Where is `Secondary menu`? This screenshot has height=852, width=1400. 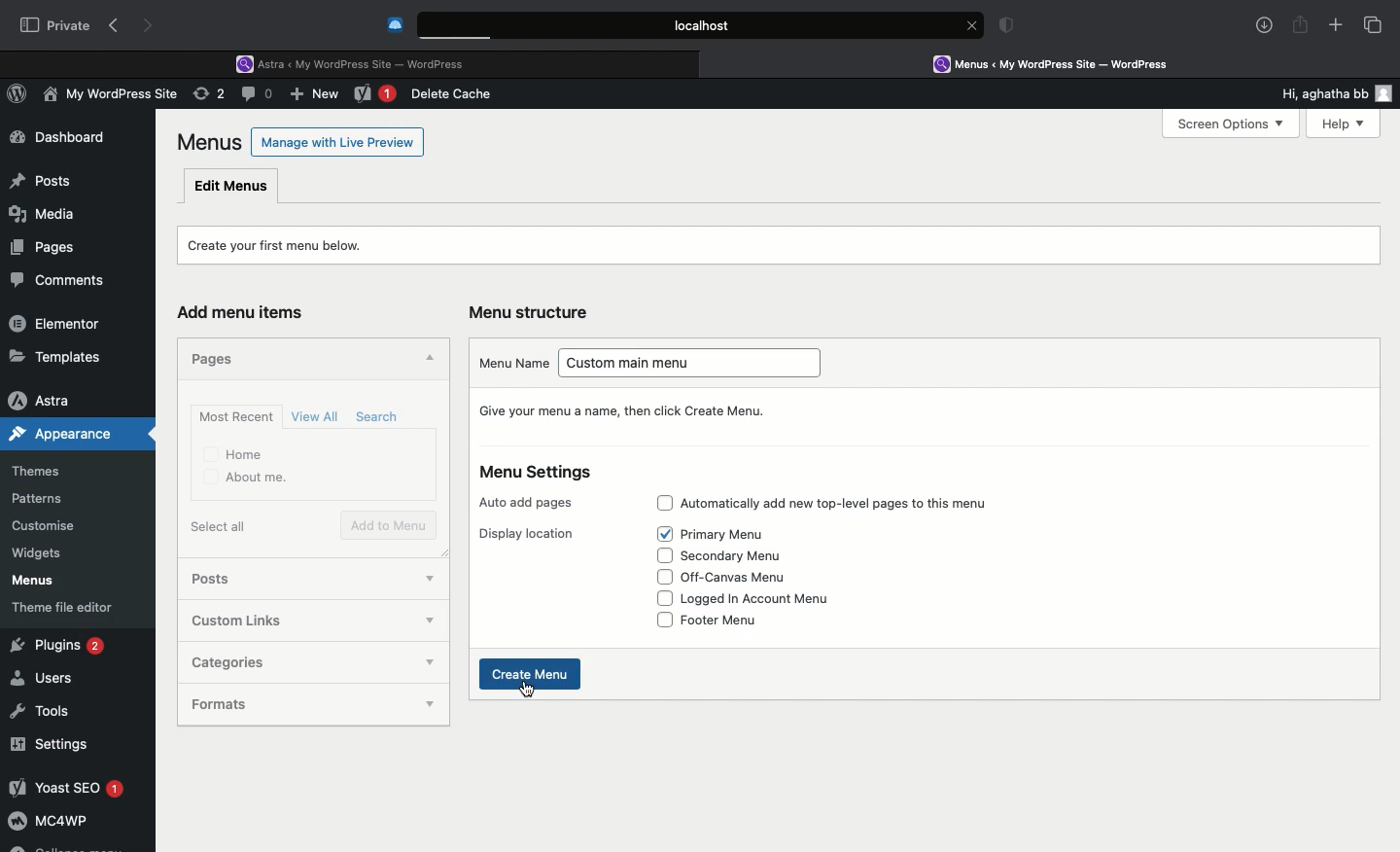 Secondary menu is located at coordinates (744, 557).